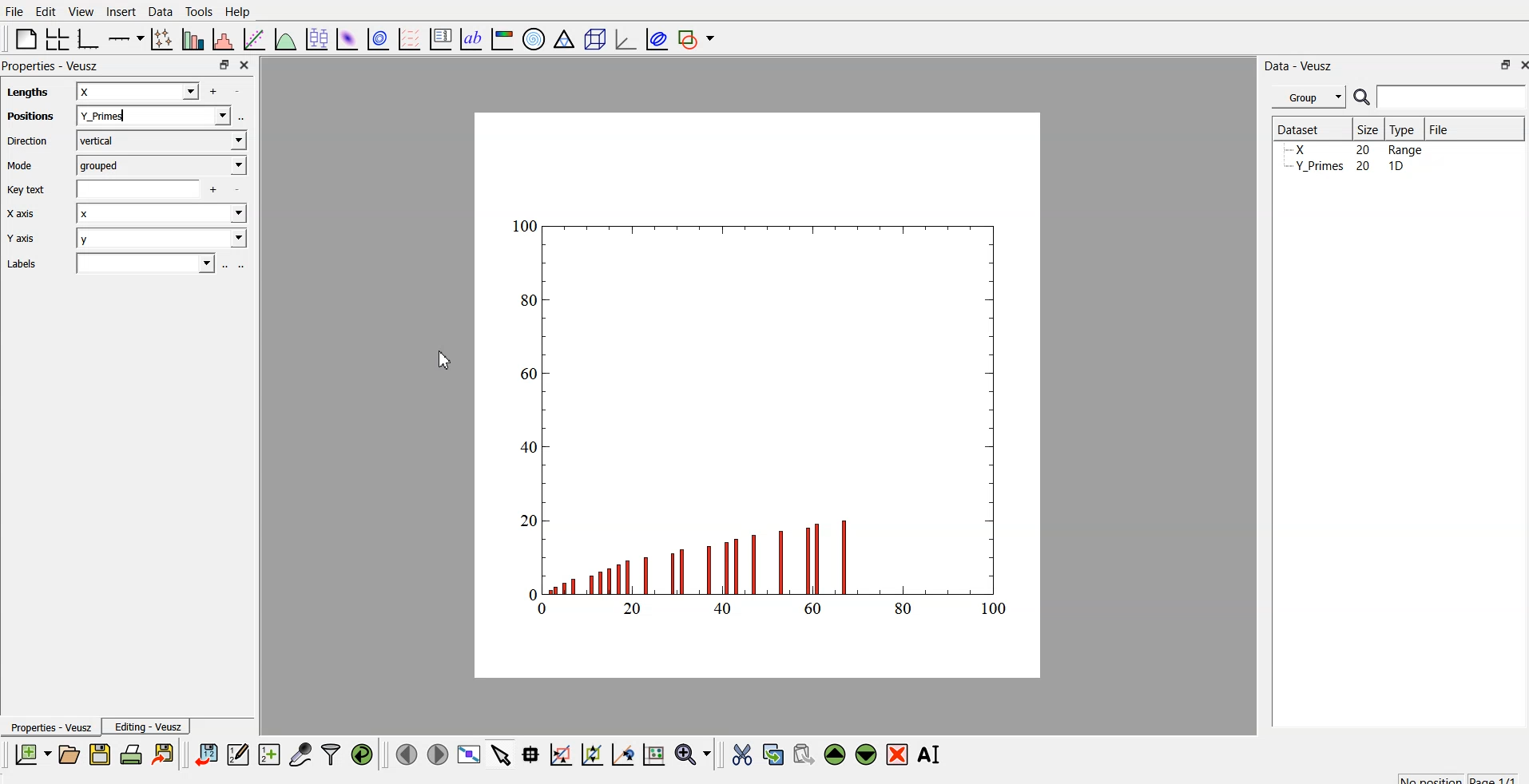 This screenshot has height=784, width=1529. What do you see at coordinates (693, 754) in the screenshot?
I see `zoom menu` at bounding box center [693, 754].